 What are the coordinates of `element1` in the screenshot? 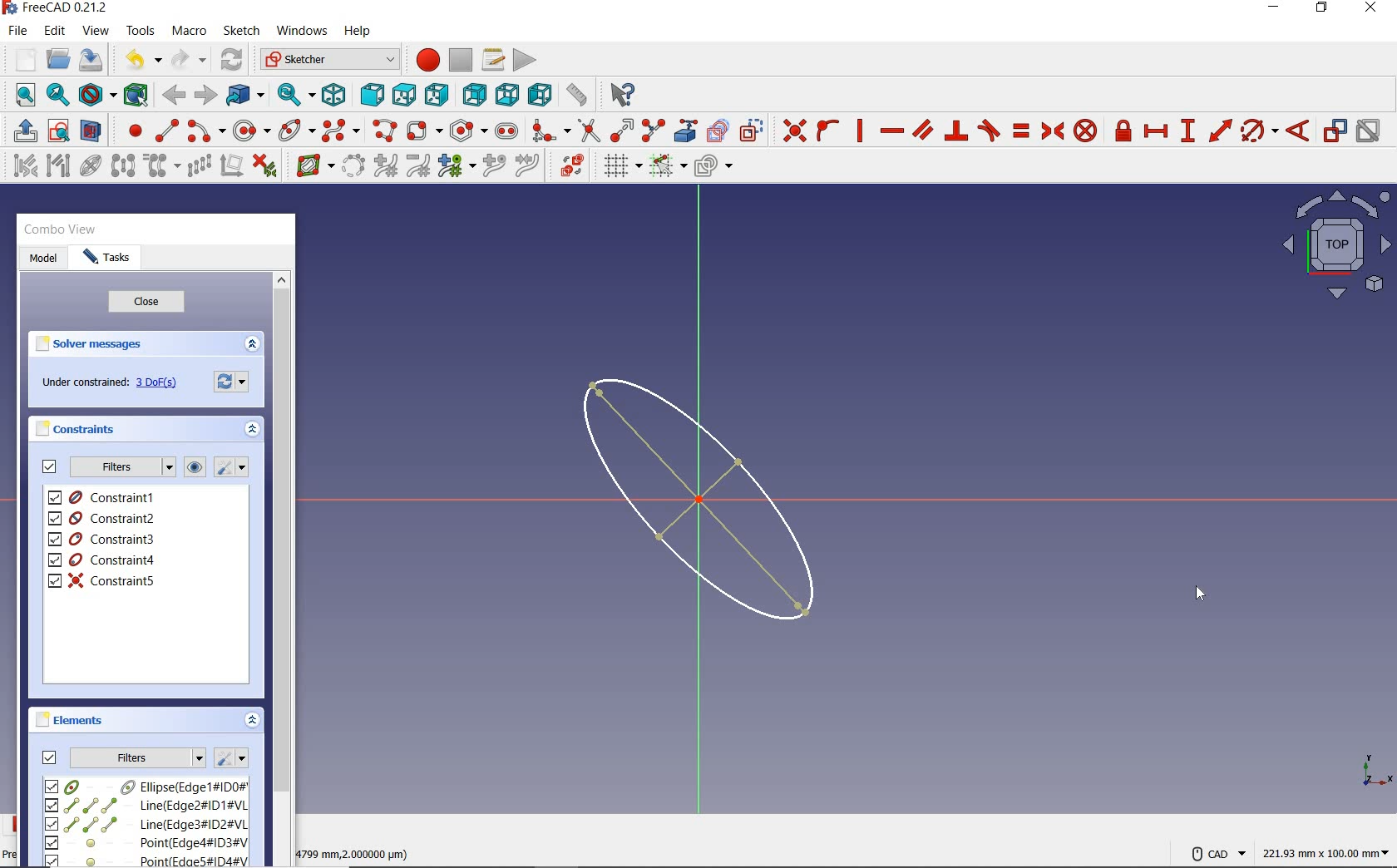 It's located at (144, 786).